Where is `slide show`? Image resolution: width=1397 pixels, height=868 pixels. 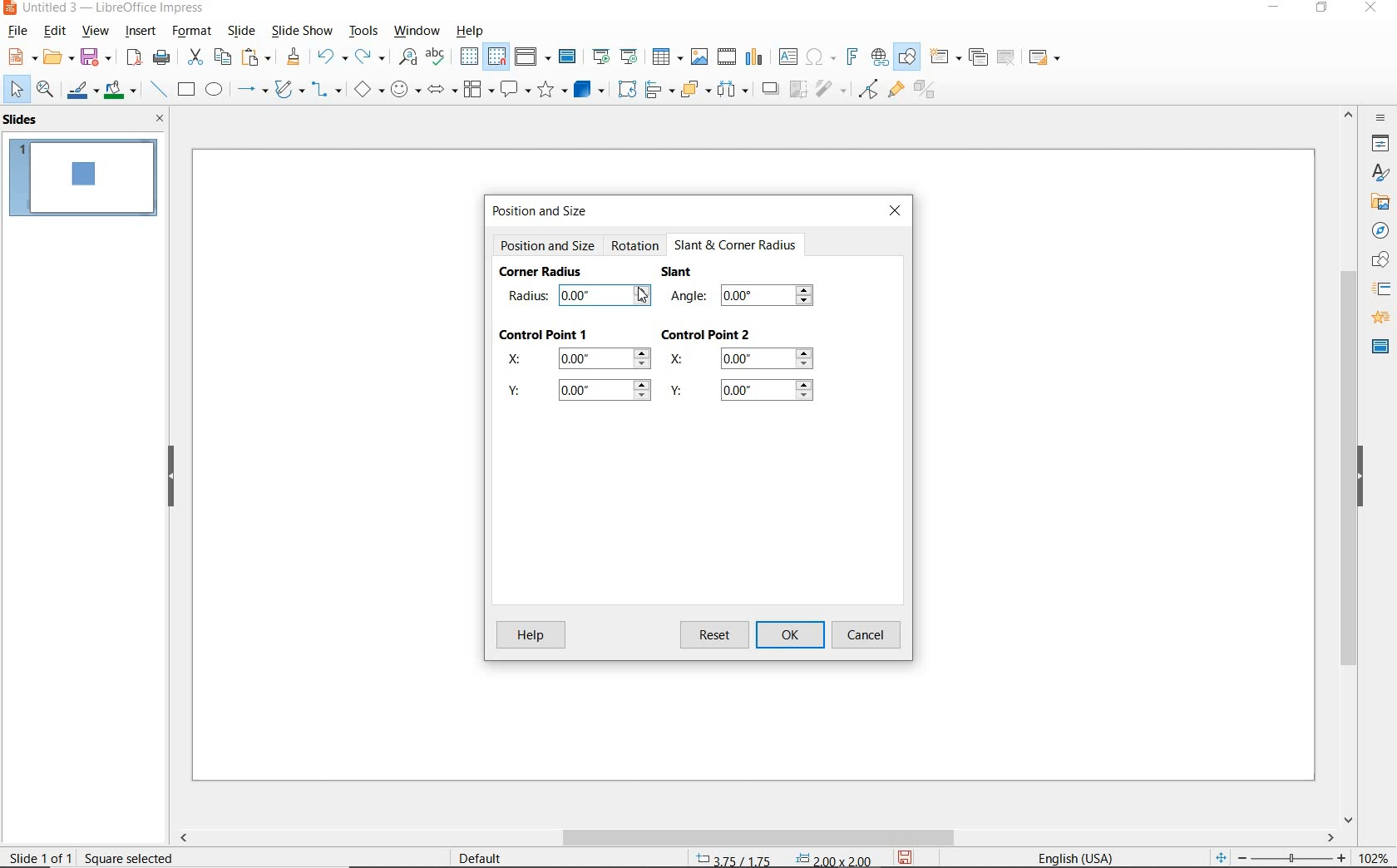
slide show is located at coordinates (303, 32).